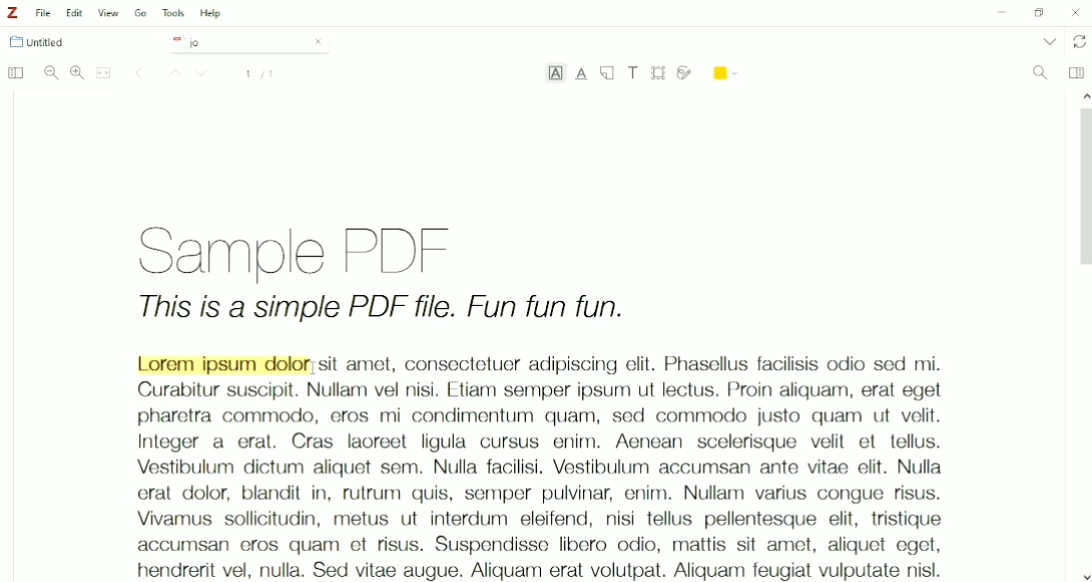 The image size is (1092, 582). What do you see at coordinates (173, 13) in the screenshot?
I see `Tools` at bounding box center [173, 13].